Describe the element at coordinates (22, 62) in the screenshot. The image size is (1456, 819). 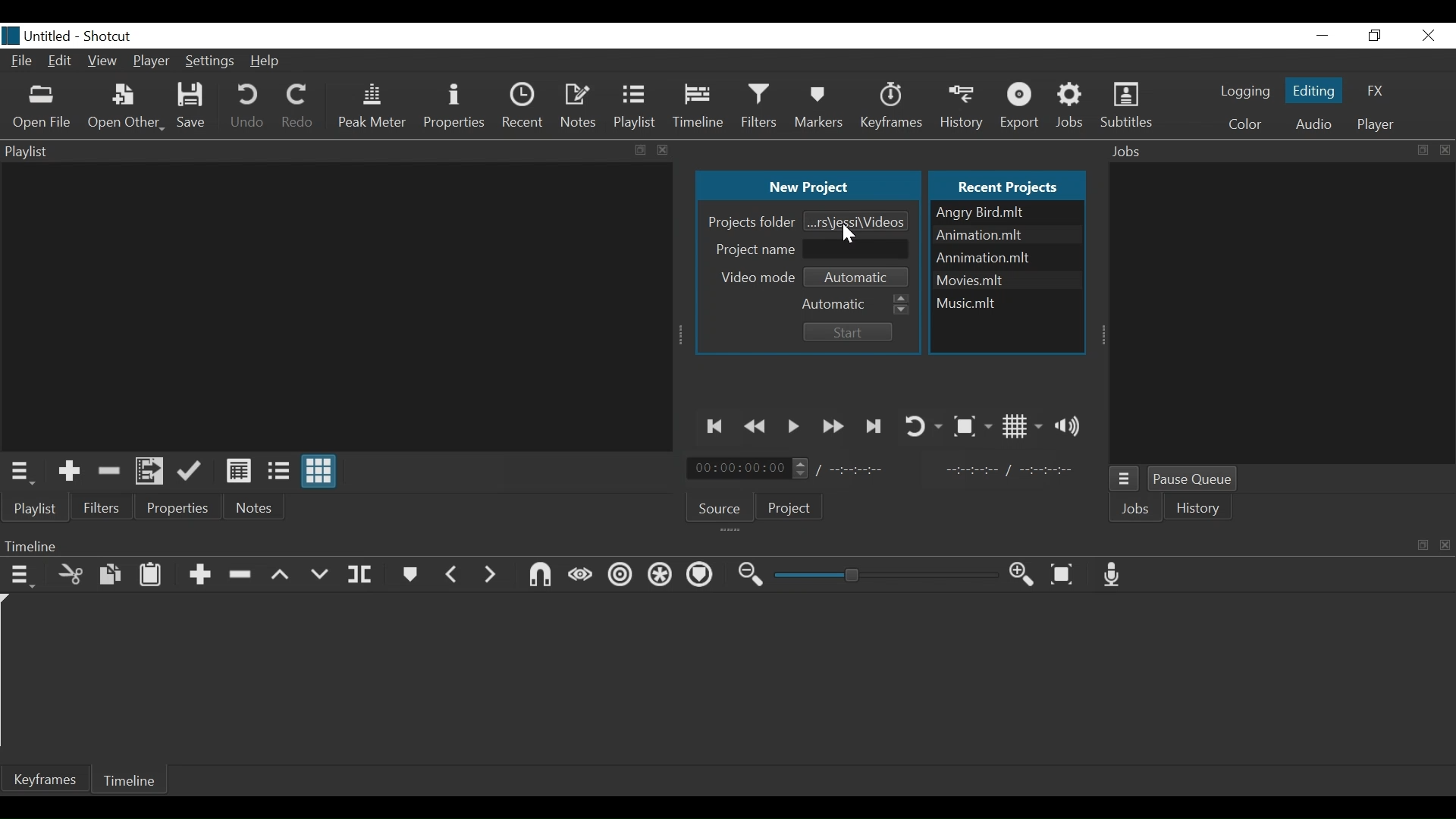
I see `File` at that location.